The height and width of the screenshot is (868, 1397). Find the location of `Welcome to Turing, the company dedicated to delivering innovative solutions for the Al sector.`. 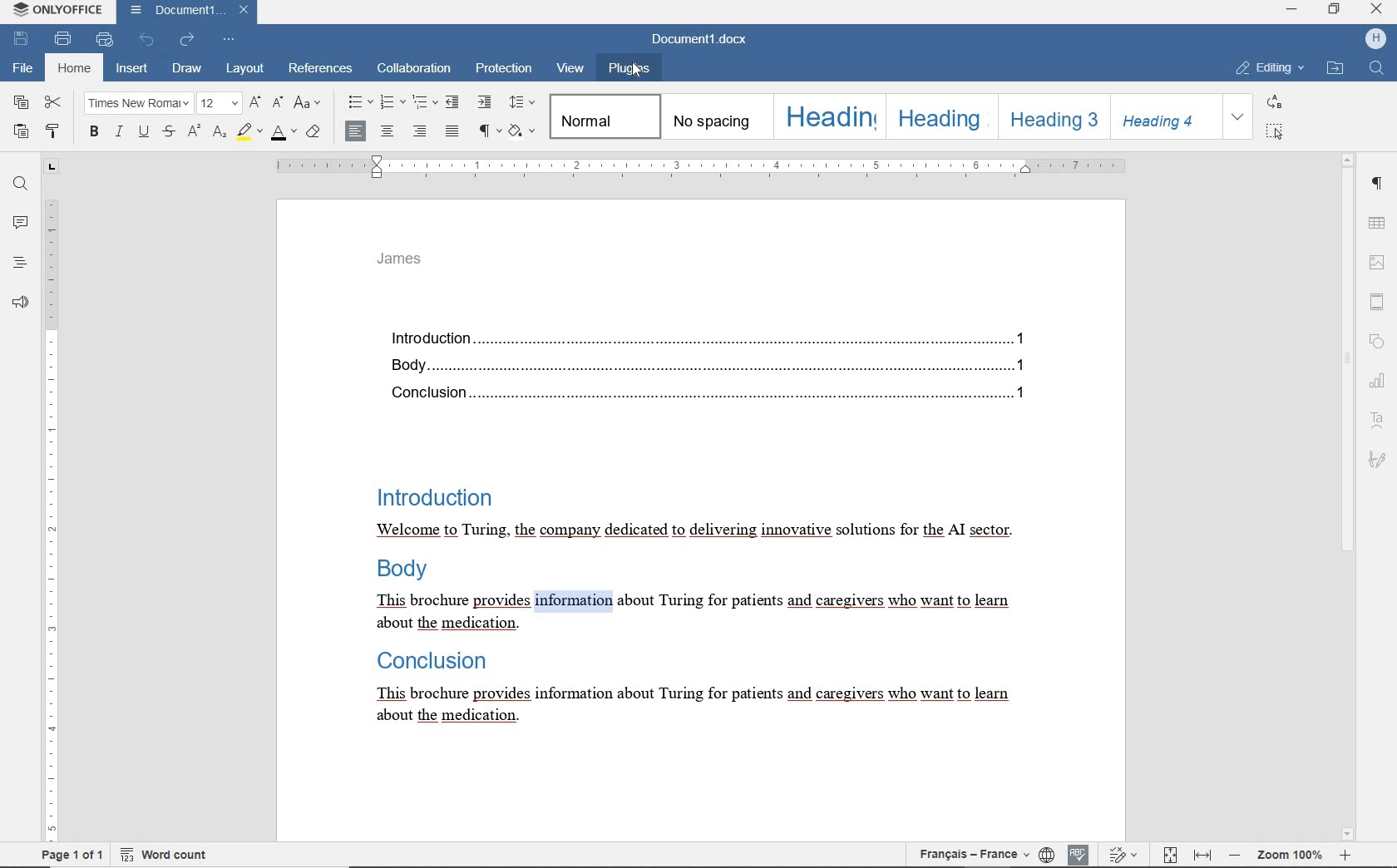

Welcome to Turing, the company dedicated to delivering innovative solutions for the Al sector. is located at coordinates (694, 531).